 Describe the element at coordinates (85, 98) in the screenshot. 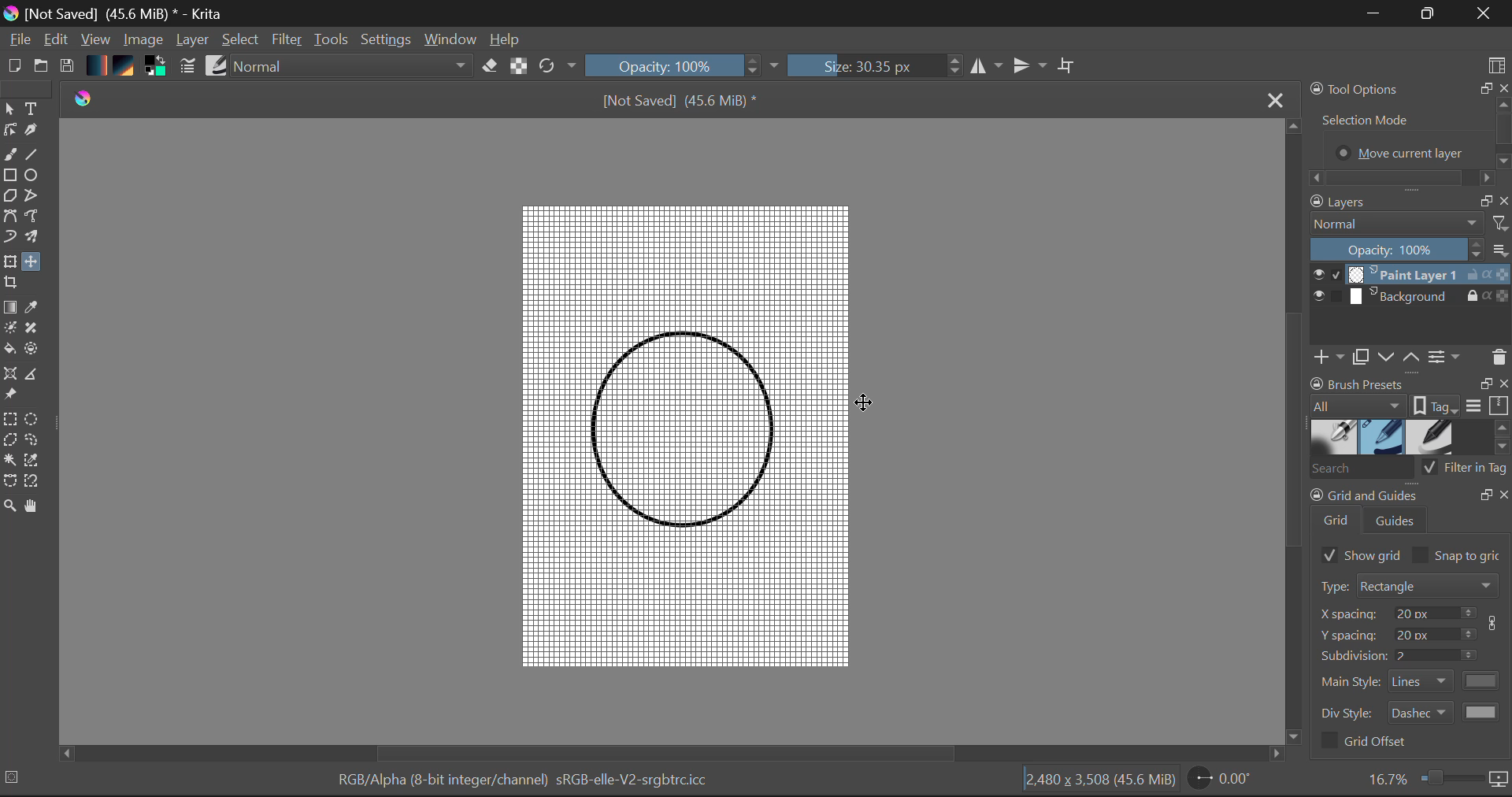

I see `logo` at that location.